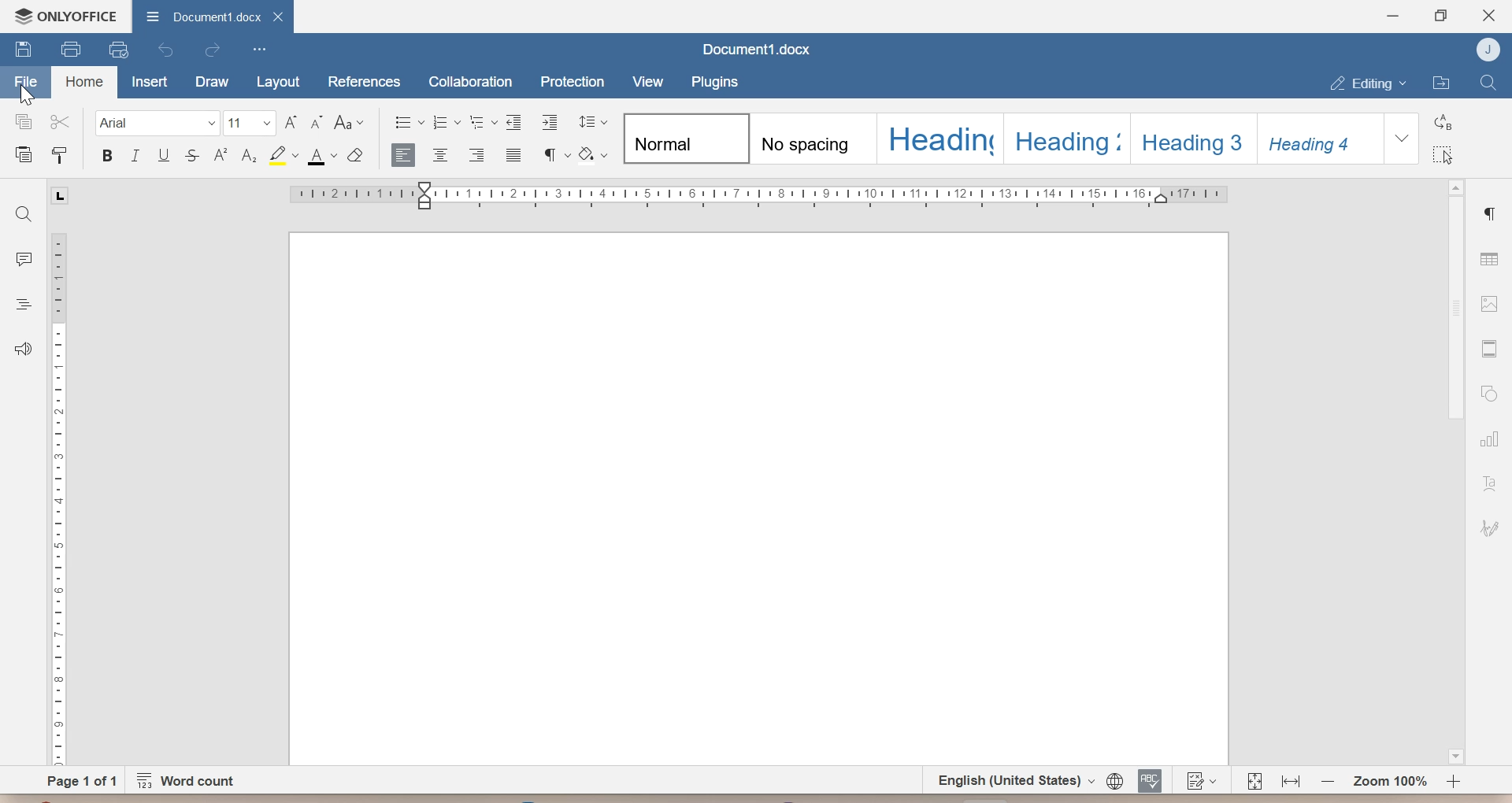 This screenshot has height=803, width=1512. I want to click on Close, so click(1488, 13).